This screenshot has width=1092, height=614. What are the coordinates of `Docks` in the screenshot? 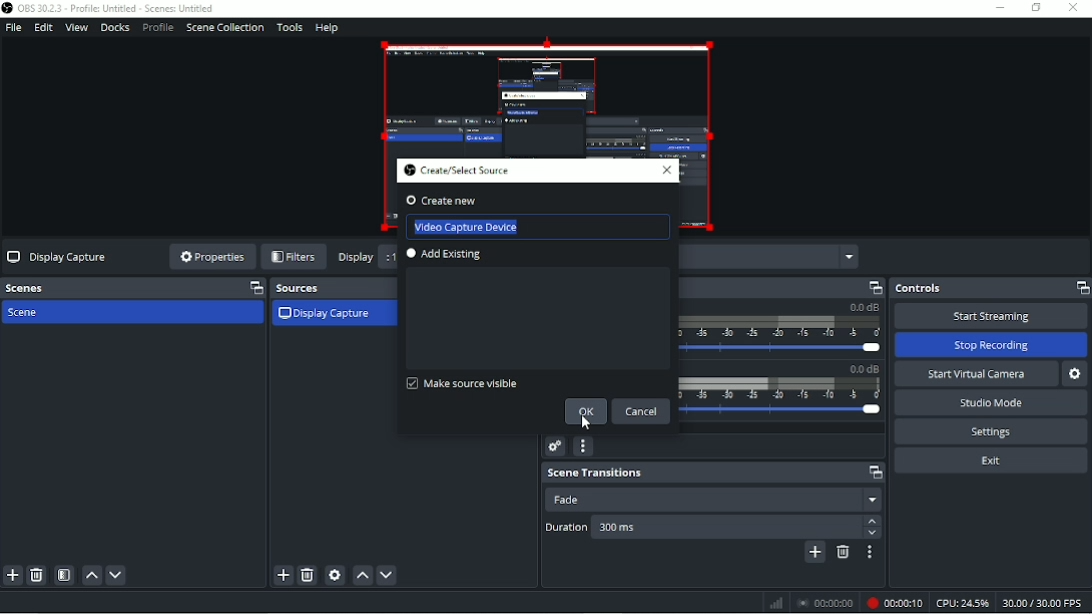 It's located at (116, 28).